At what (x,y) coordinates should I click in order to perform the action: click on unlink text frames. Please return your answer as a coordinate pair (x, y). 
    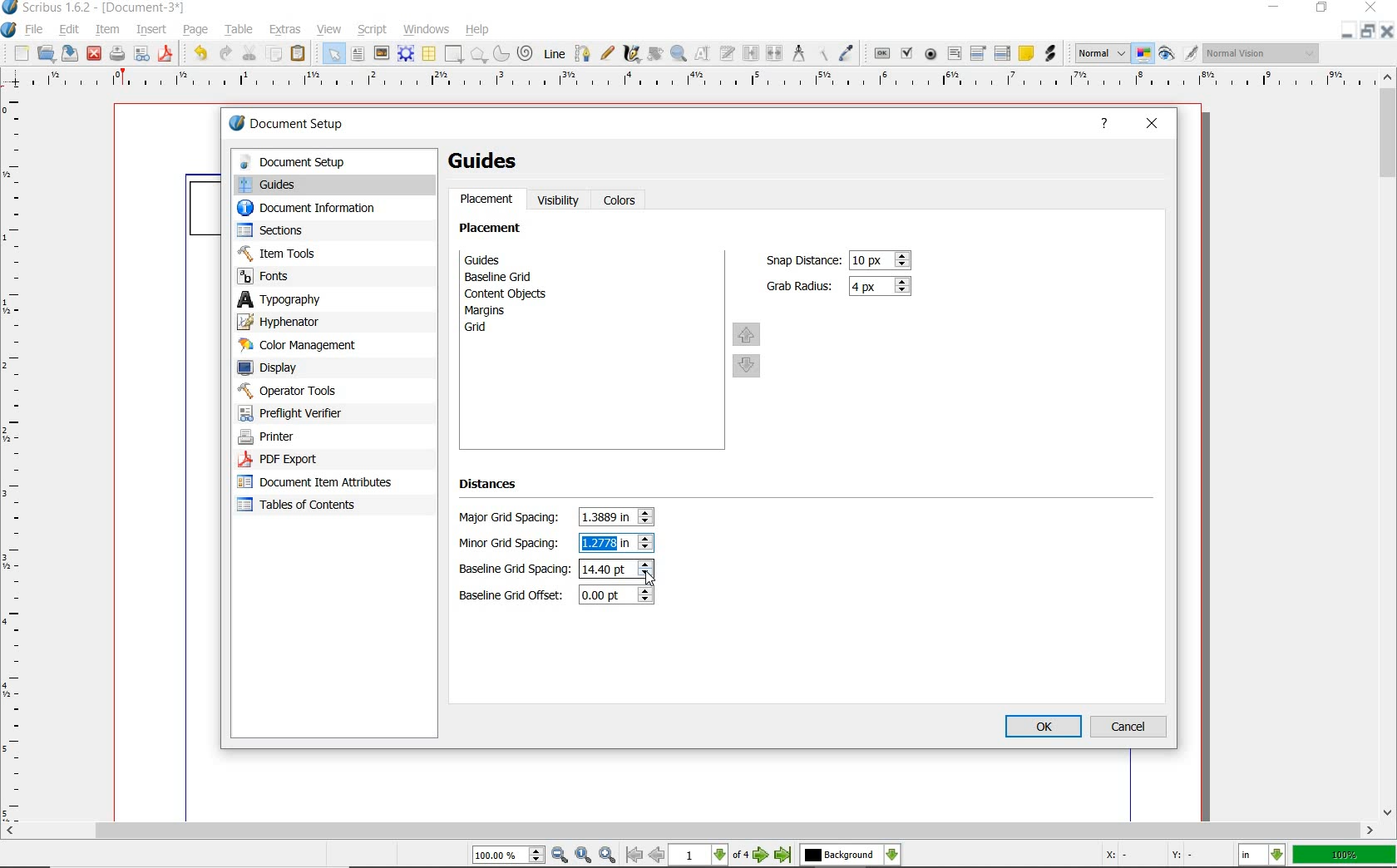
    Looking at the image, I should click on (773, 52).